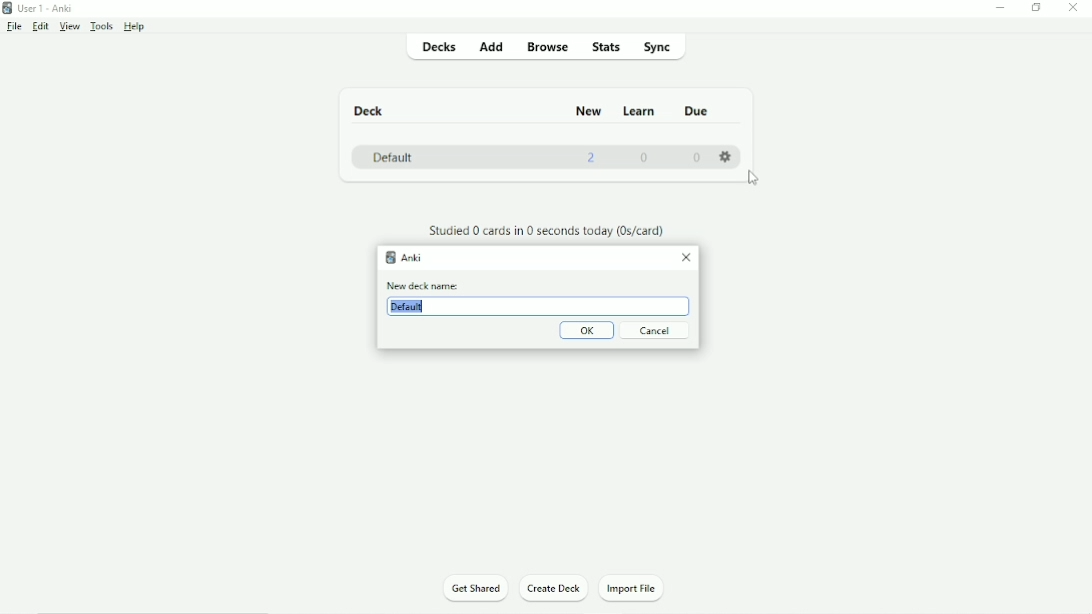 This screenshot has height=614, width=1092. I want to click on Settings, so click(726, 154).